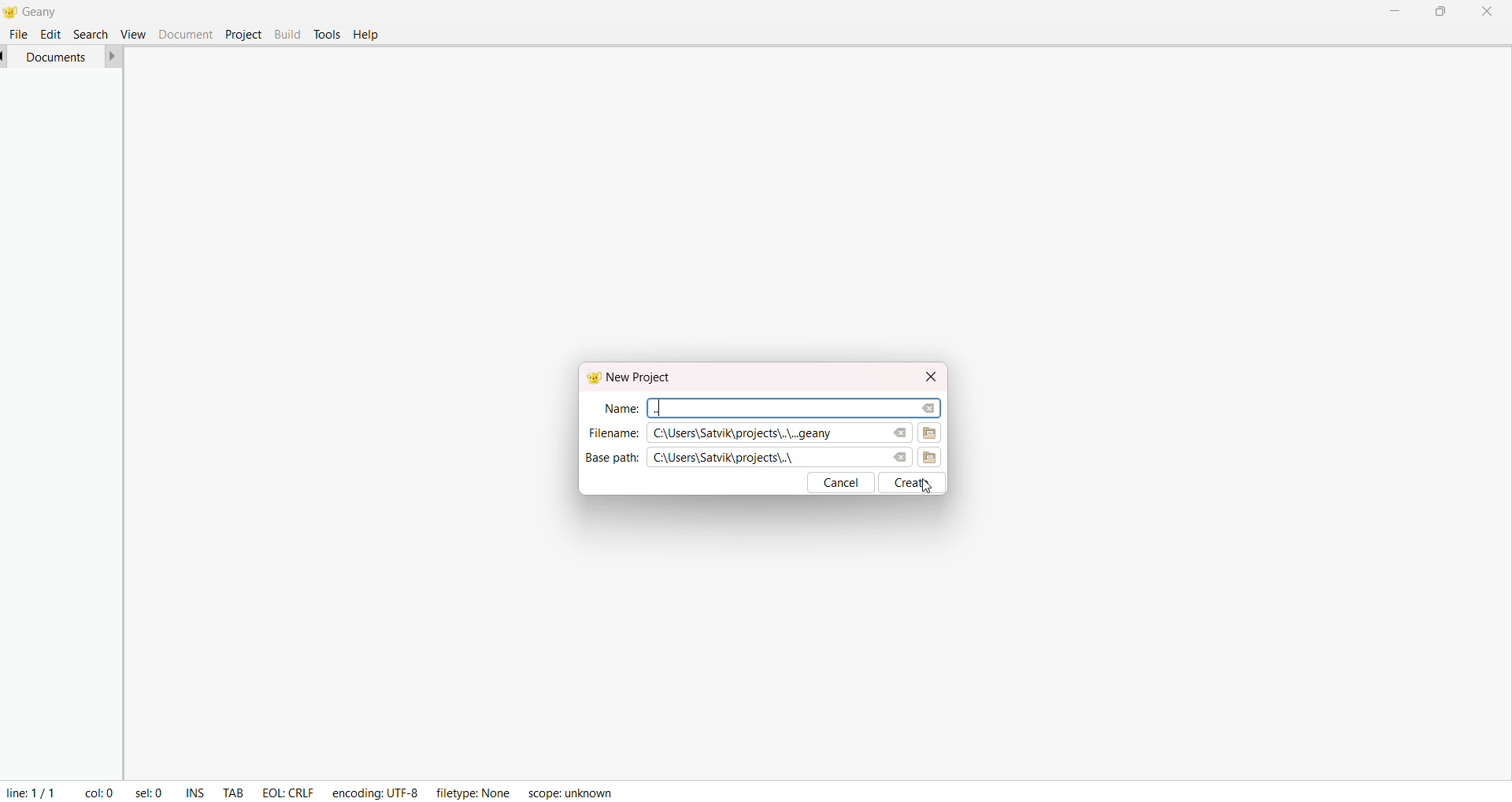 This screenshot has width=1512, height=802. What do you see at coordinates (588, 373) in the screenshot?
I see `Geany logo` at bounding box center [588, 373].